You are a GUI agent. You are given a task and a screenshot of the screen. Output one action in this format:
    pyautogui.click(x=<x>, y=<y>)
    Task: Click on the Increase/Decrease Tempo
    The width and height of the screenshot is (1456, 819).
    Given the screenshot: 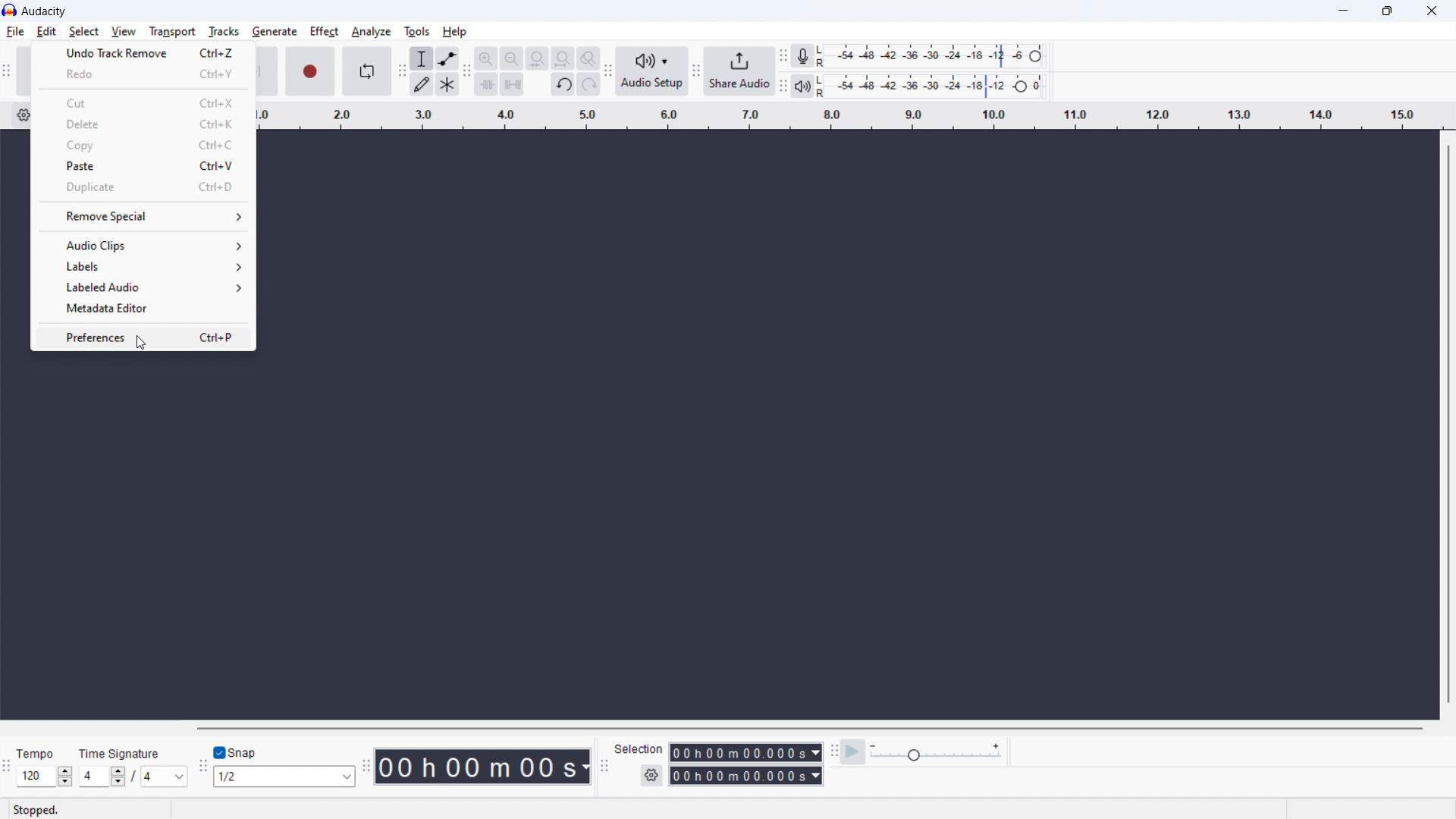 What is the action you would take?
    pyautogui.click(x=65, y=777)
    